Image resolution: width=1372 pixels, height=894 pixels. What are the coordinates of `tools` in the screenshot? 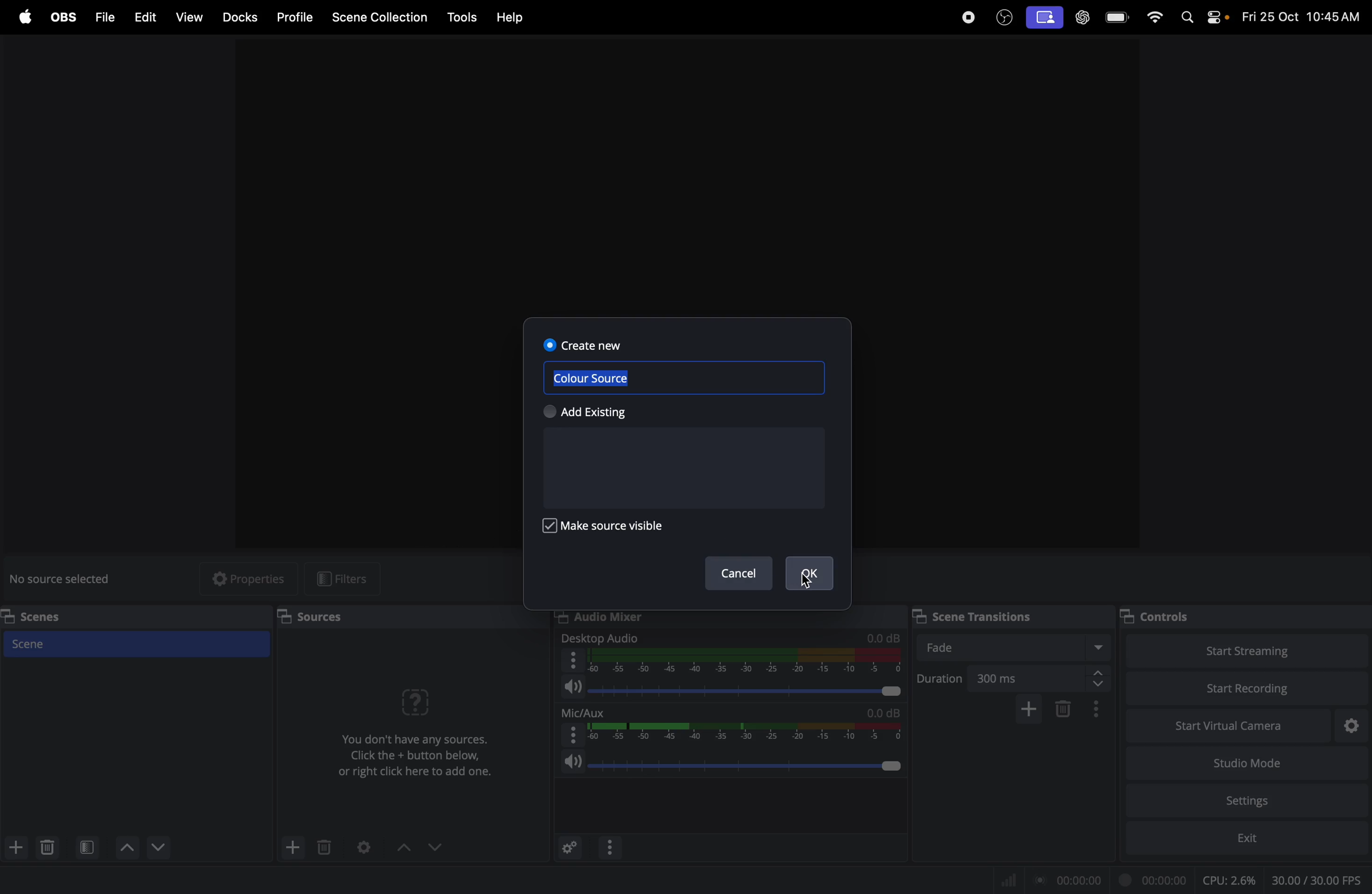 It's located at (462, 17).